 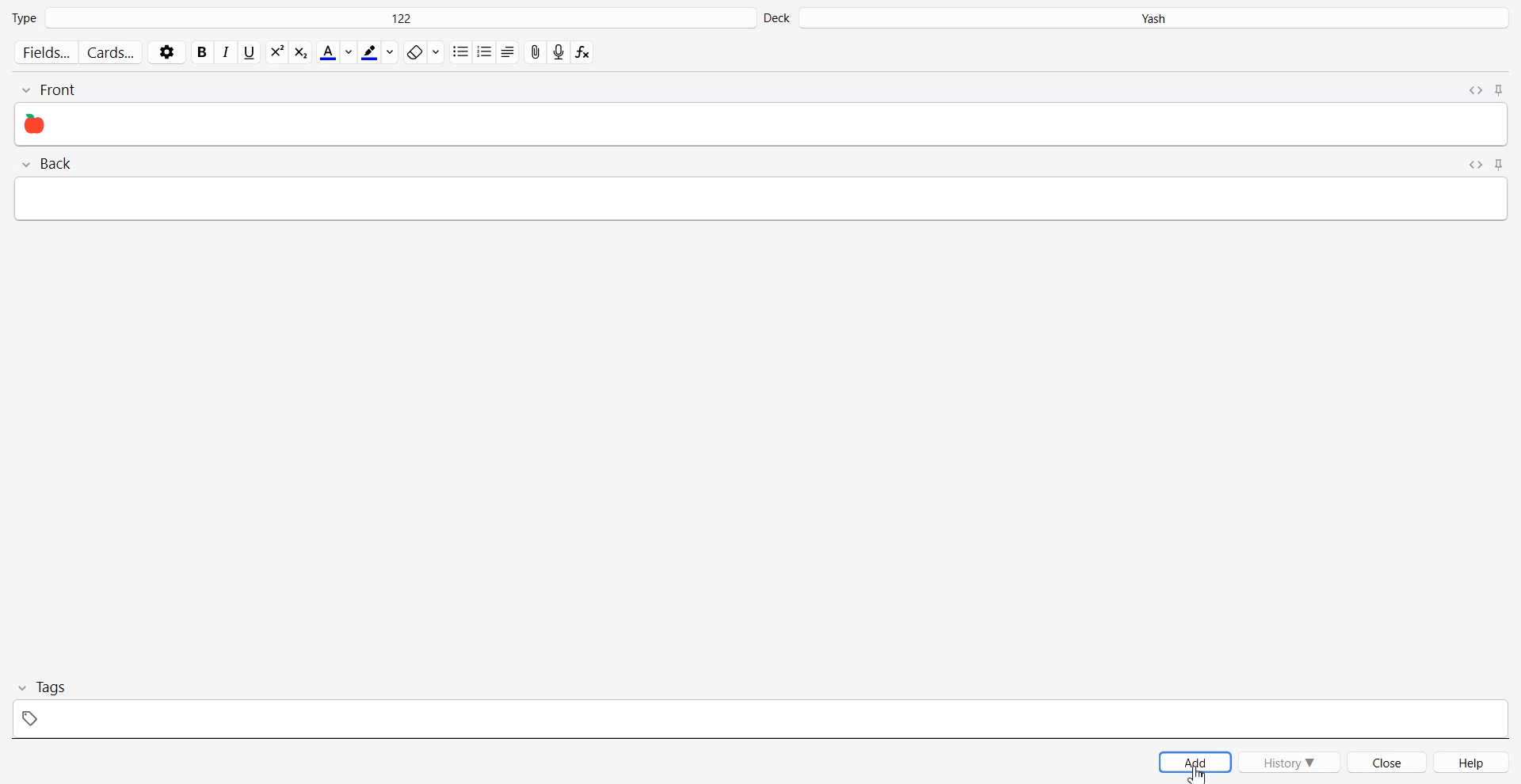 What do you see at coordinates (534, 51) in the screenshot?
I see `Attach File` at bounding box center [534, 51].